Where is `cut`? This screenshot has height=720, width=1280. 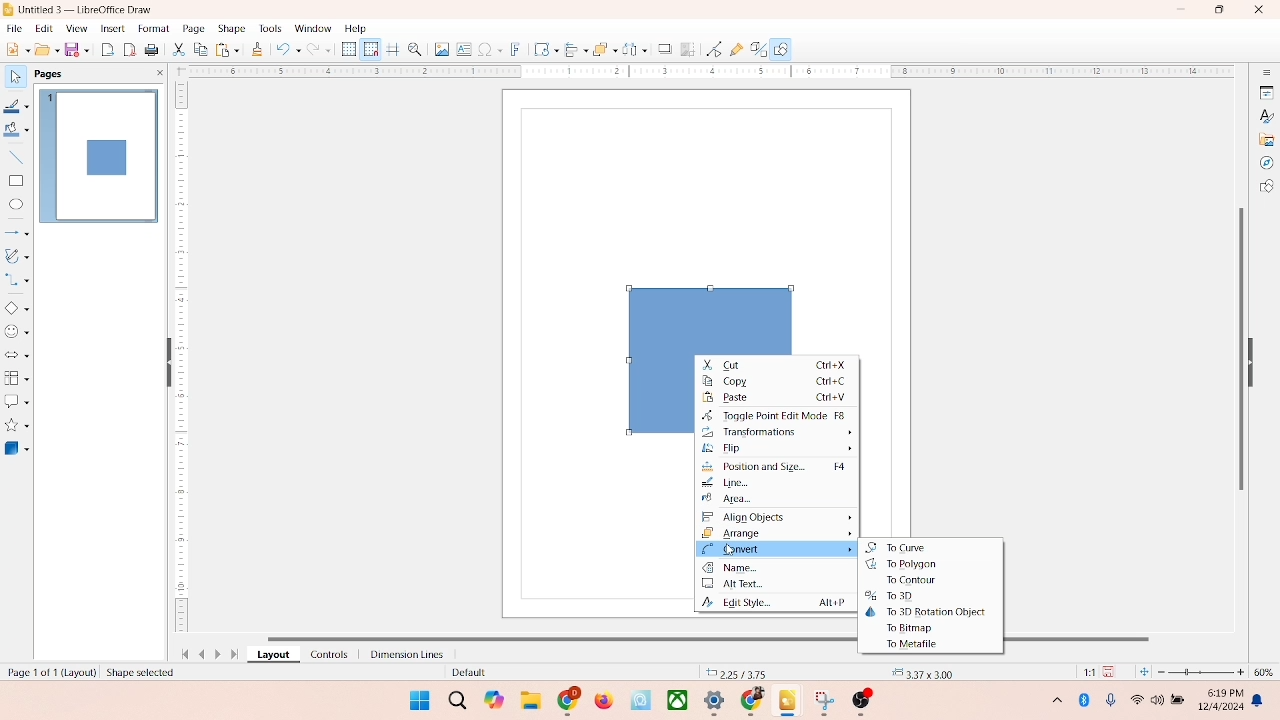
cut is located at coordinates (179, 51).